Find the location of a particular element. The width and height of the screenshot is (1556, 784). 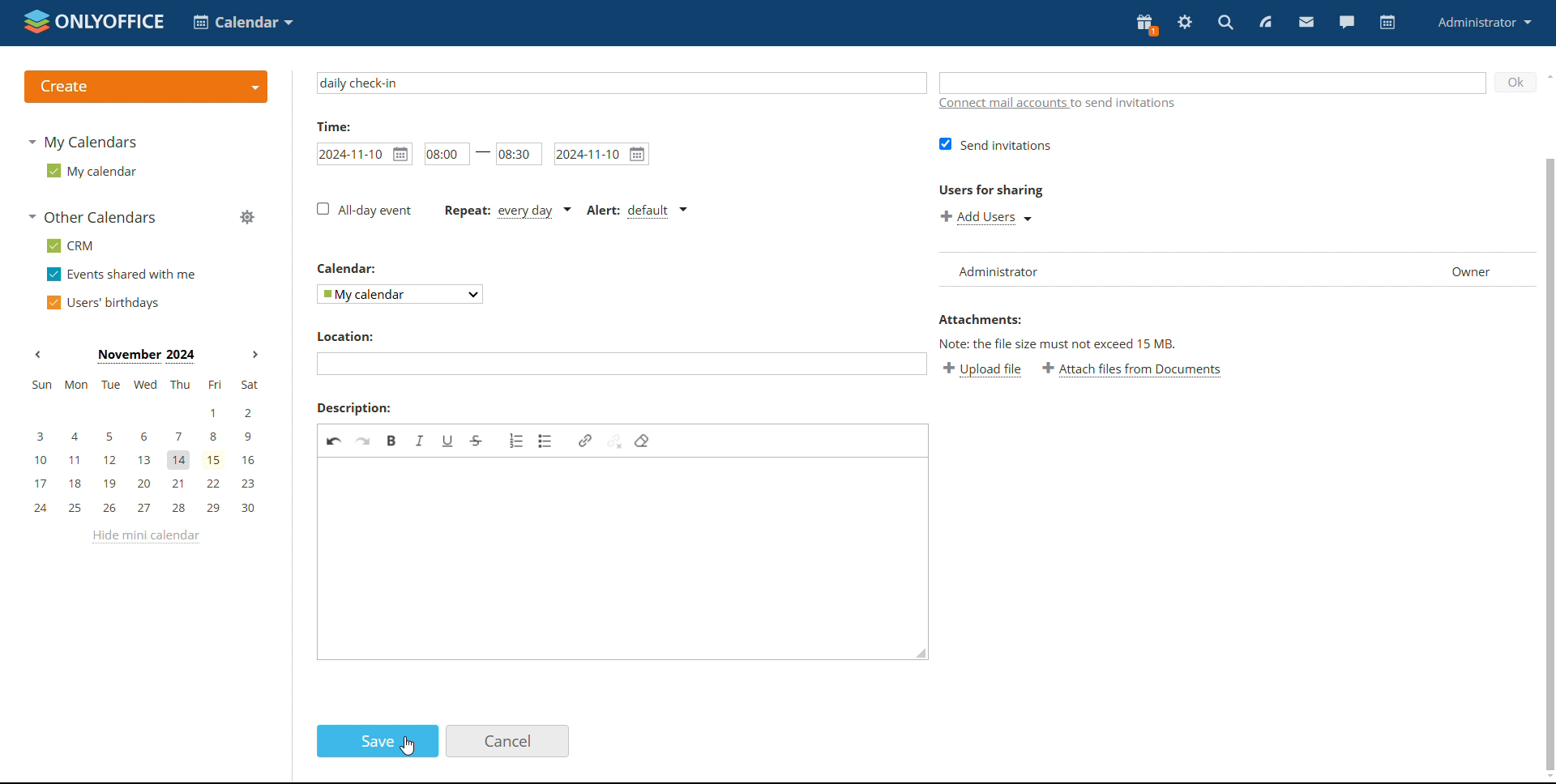

feed is located at coordinates (1266, 22).